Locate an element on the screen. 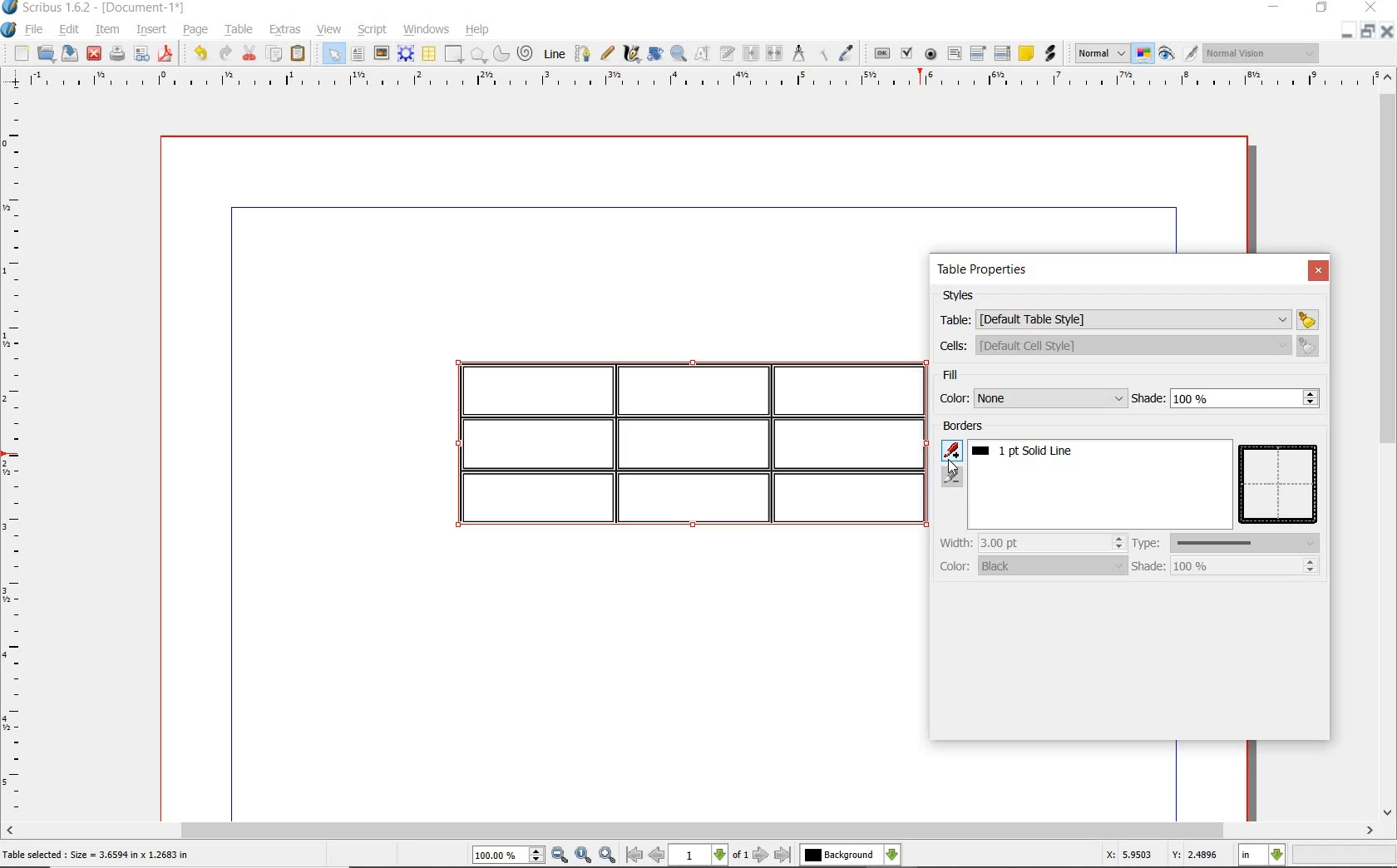 The height and width of the screenshot is (868, 1397). close is located at coordinates (95, 53).